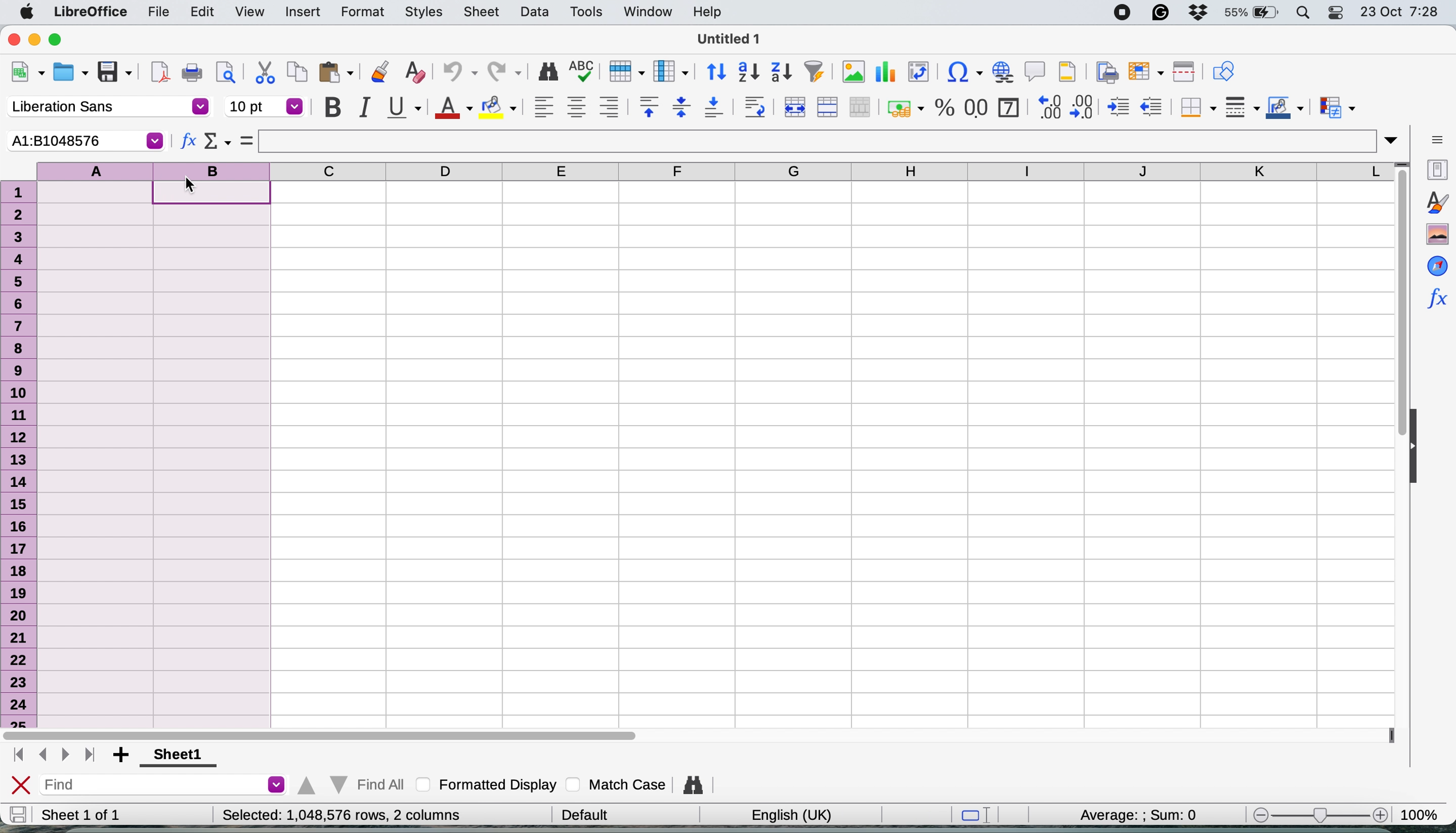  I want to click on expand formula bar, so click(1395, 140).